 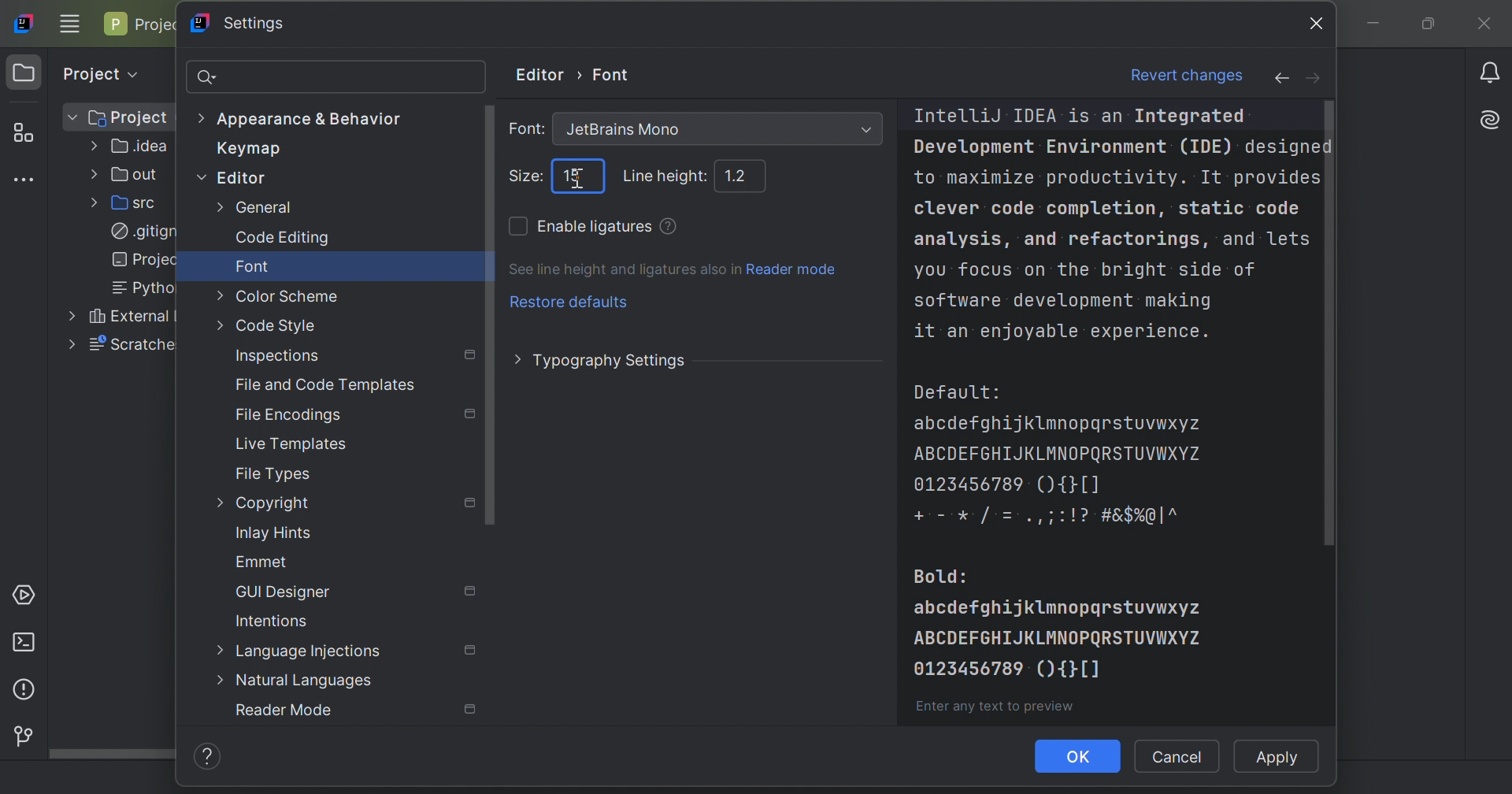 What do you see at coordinates (329, 385) in the screenshot?
I see `File and Code Templates` at bounding box center [329, 385].